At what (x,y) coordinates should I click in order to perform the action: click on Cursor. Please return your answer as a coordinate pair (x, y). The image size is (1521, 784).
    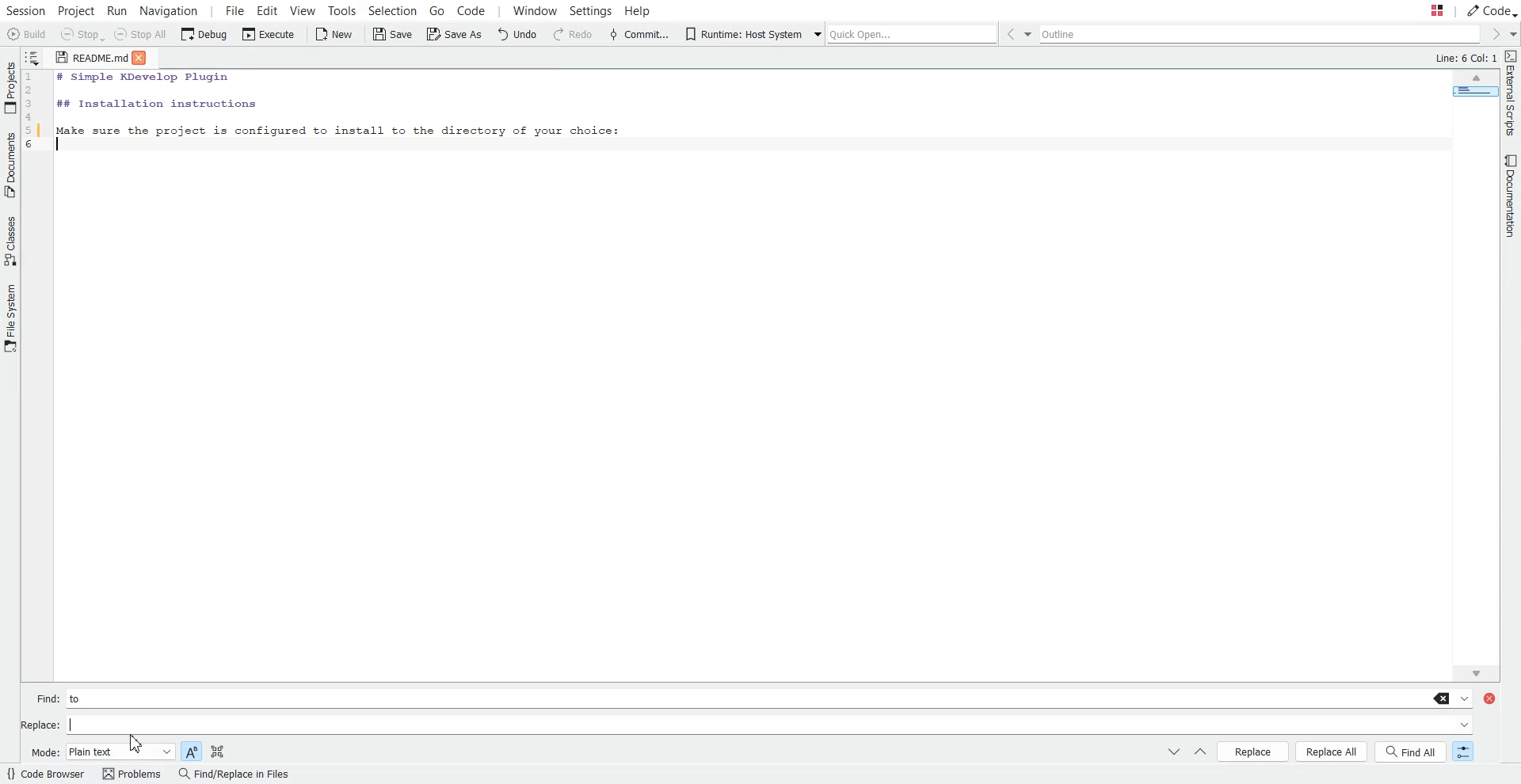
    Looking at the image, I should click on (135, 744).